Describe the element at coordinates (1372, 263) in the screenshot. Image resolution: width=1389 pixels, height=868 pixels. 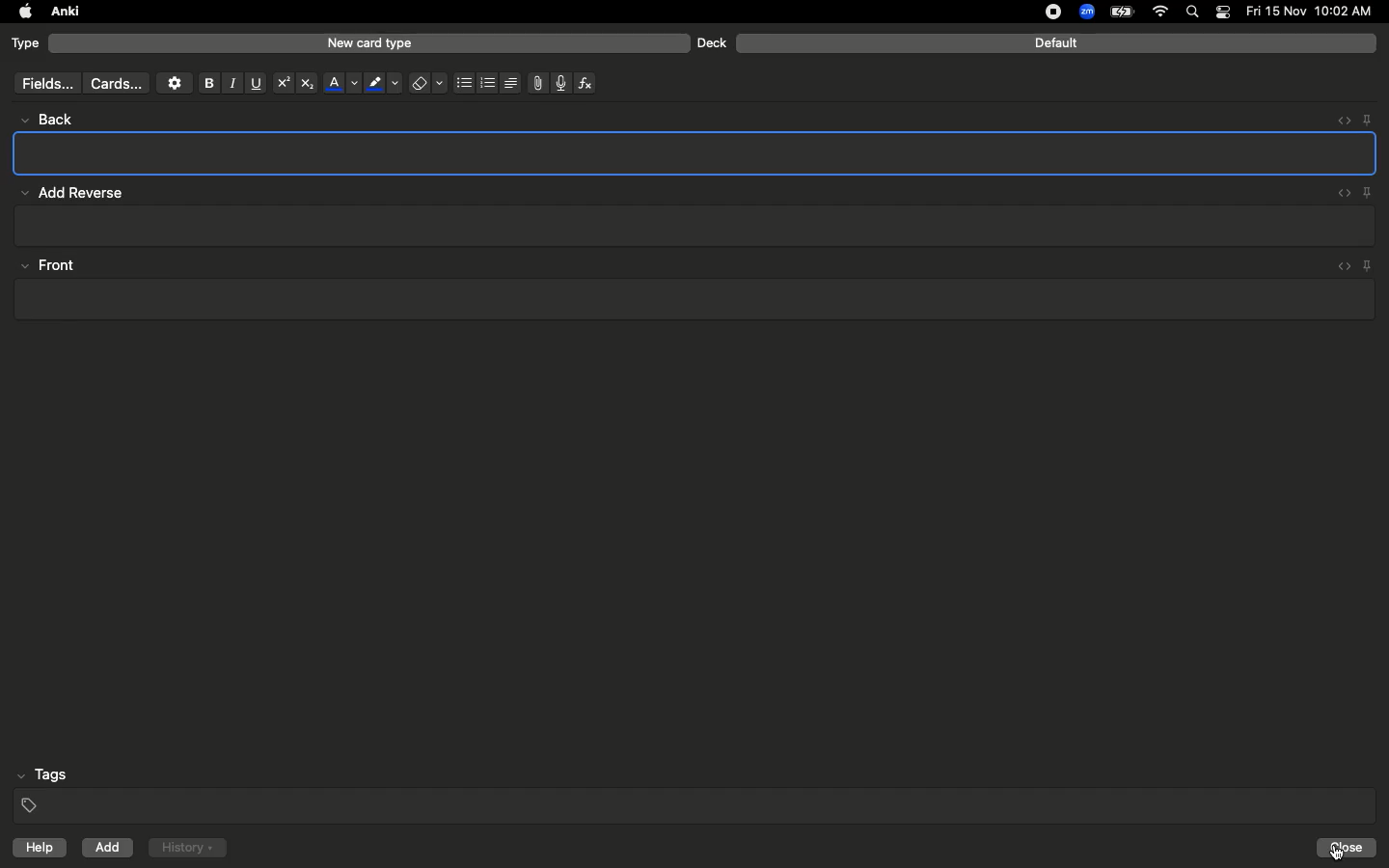
I see `pin` at that location.